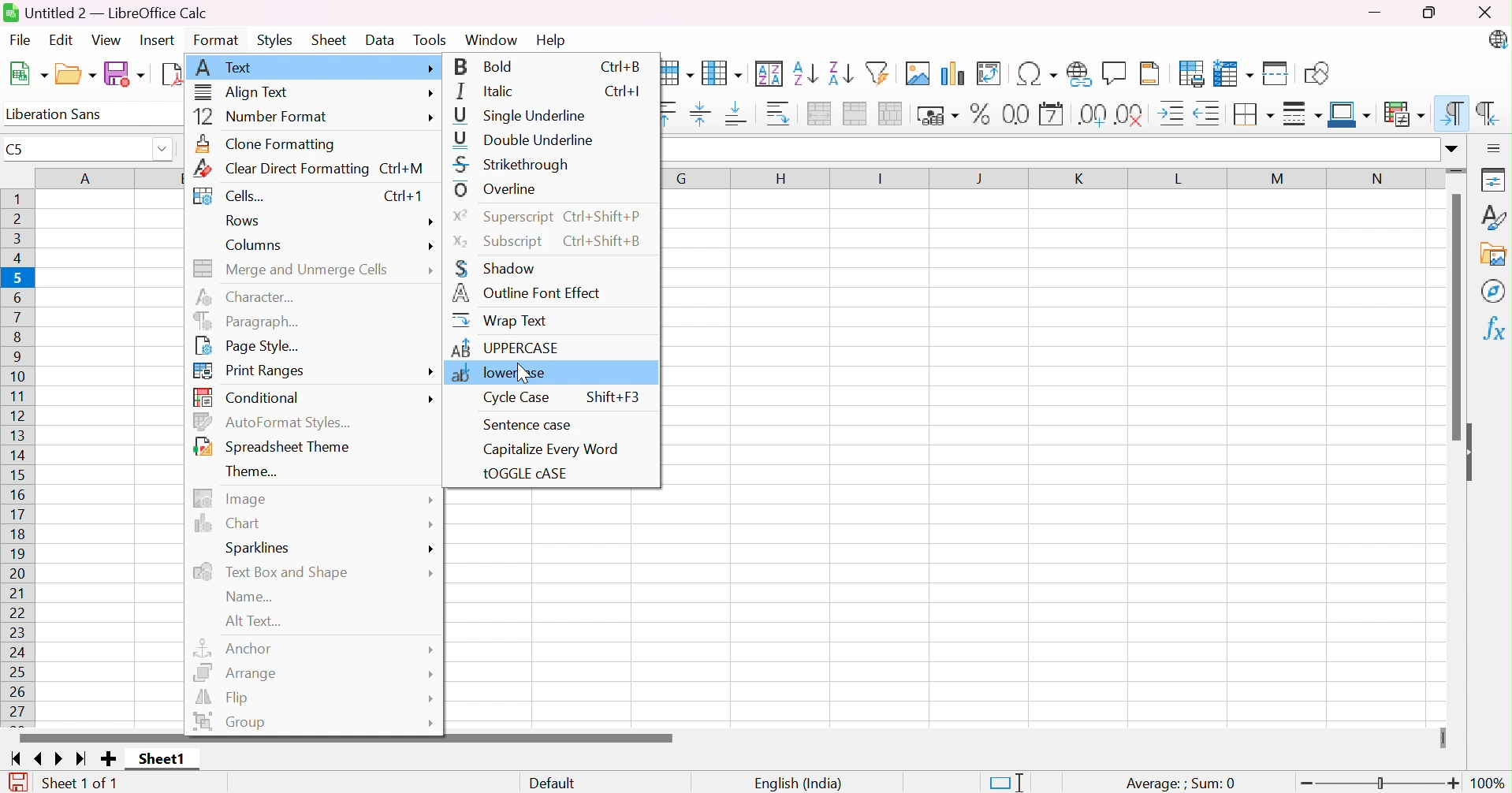 This screenshot has height=793, width=1512. Describe the element at coordinates (1304, 116) in the screenshot. I see `Border Style` at that location.